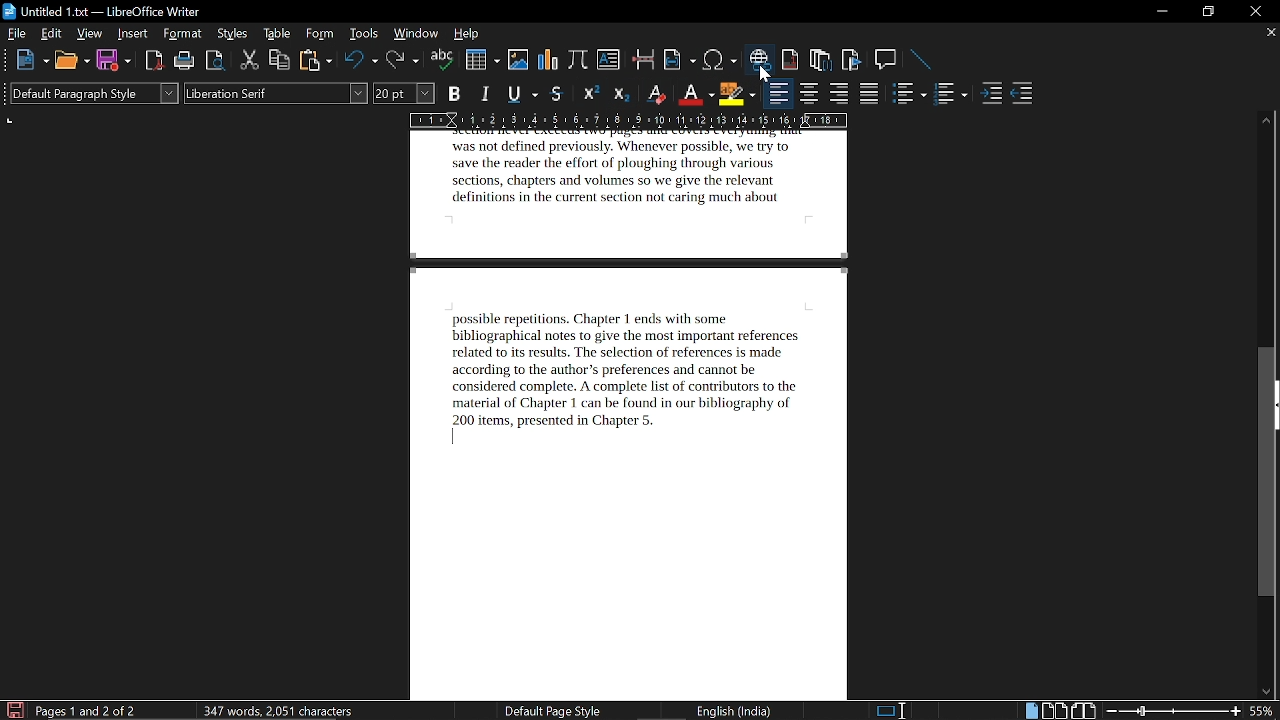 This screenshot has height=720, width=1280. Describe the element at coordinates (640, 415) in the screenshot. I see `current page` at that location.